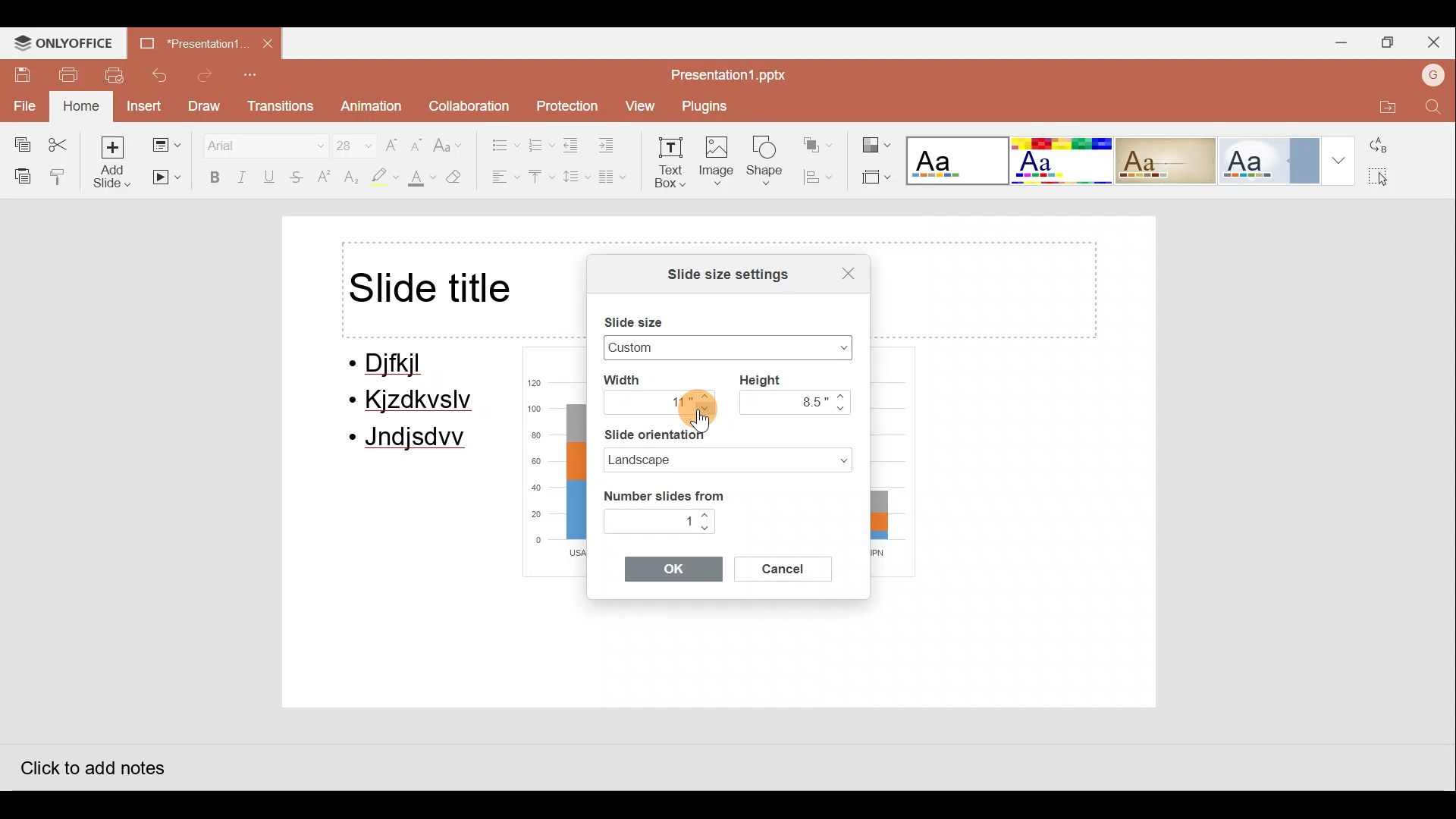 Image resolution: width=1456 pixels, height=819 pixels. What do you see at coordinates (769, 164) in the screenshot?
I see `Shape` at bounding box center [769, 164].